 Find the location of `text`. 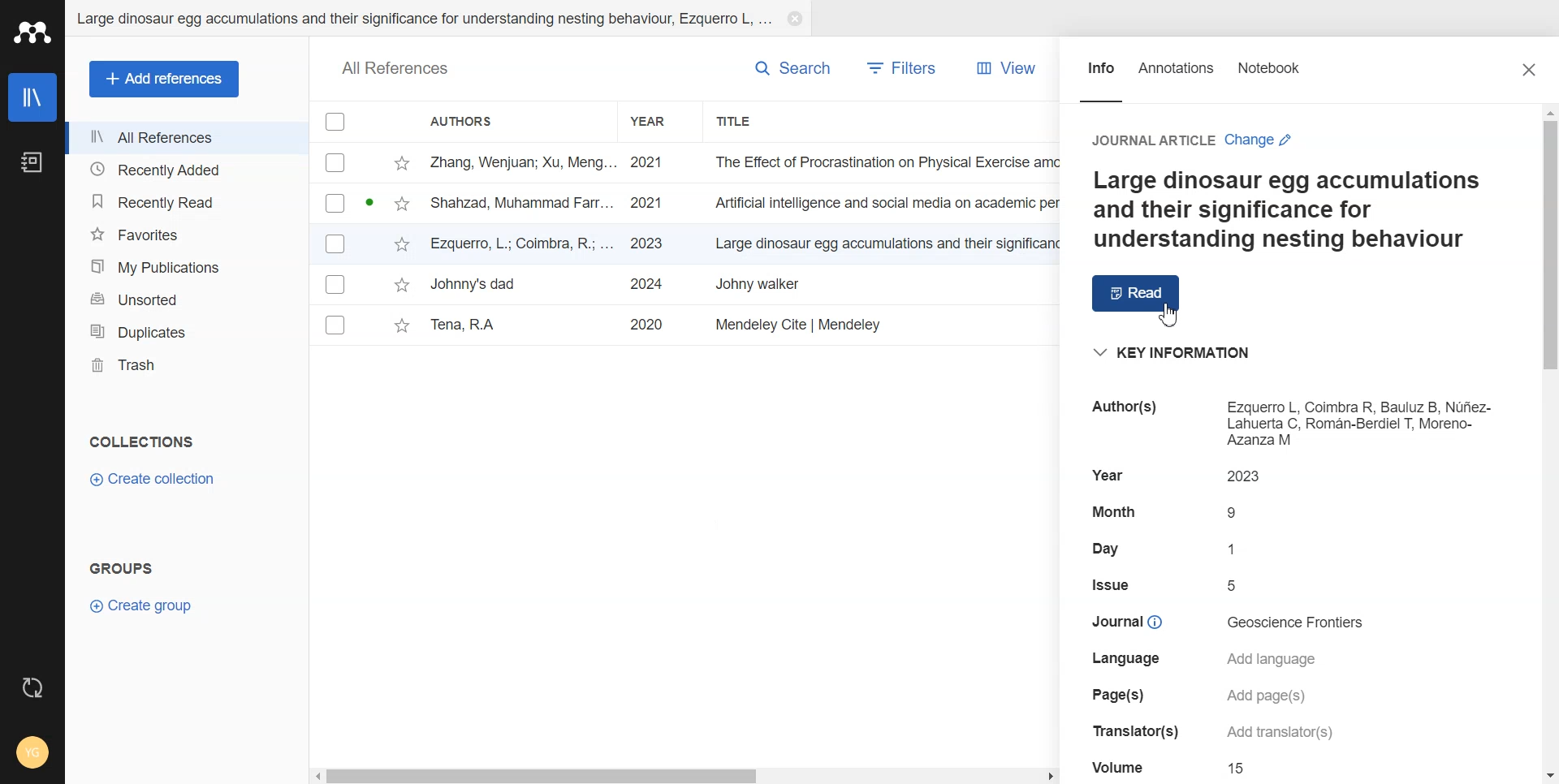

text is located at coordinates (1125, 660).